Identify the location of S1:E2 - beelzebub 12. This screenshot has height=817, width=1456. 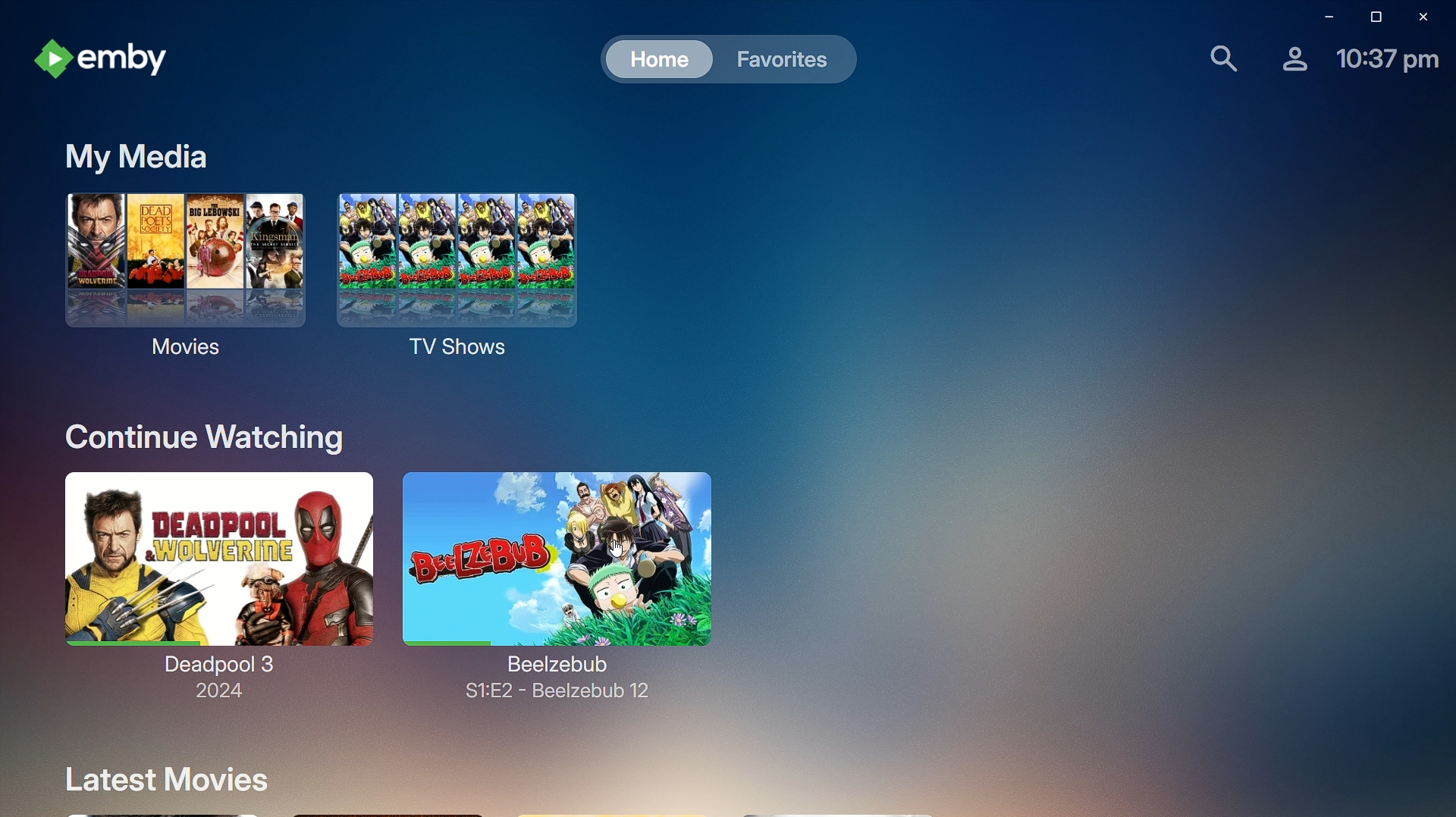
(561, 697).